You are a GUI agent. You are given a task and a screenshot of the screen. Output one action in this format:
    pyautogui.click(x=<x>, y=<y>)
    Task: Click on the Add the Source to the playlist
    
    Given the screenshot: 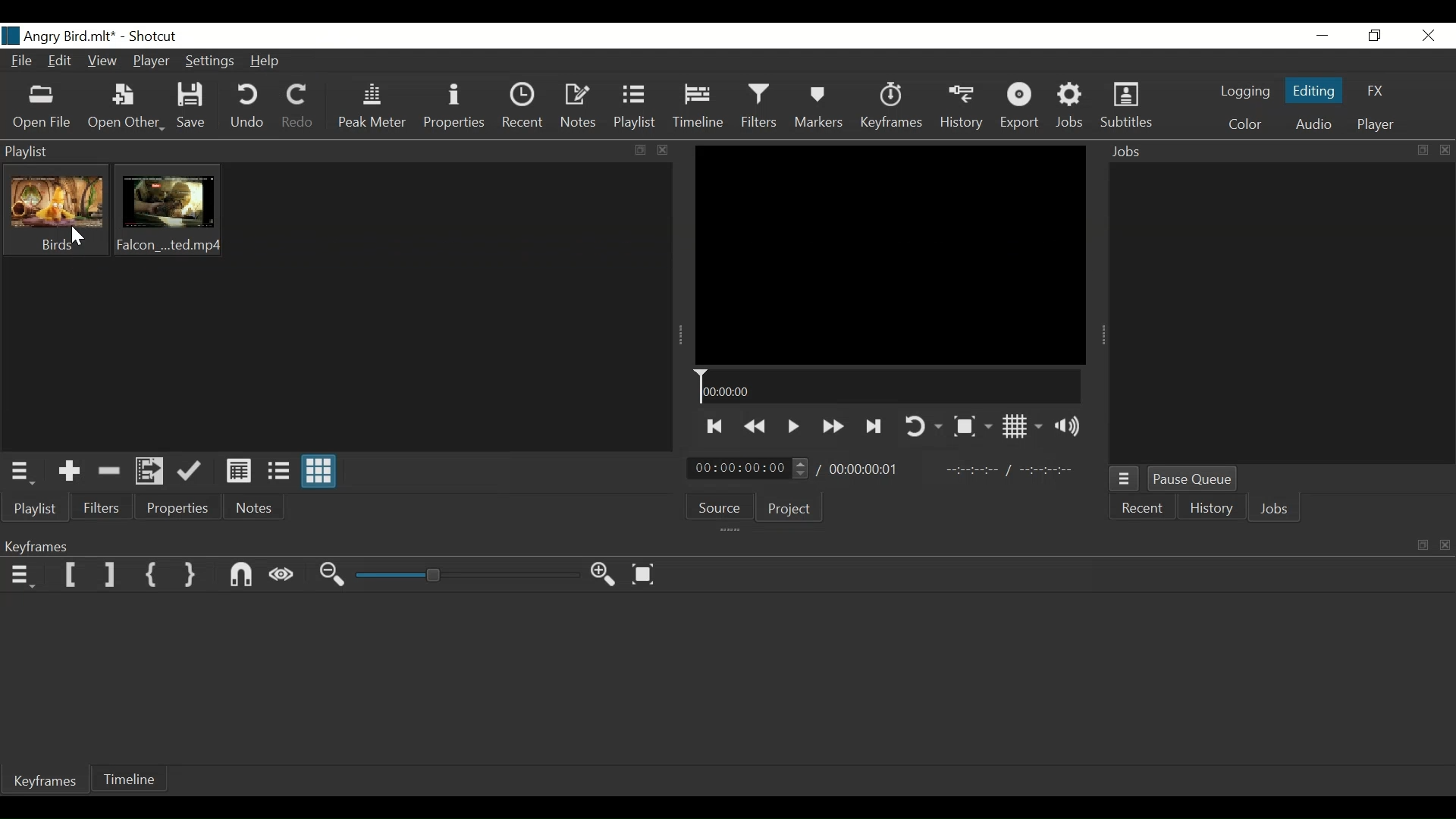 What is the action you would take?
    pyautogui.click(x=69, y=470)
    